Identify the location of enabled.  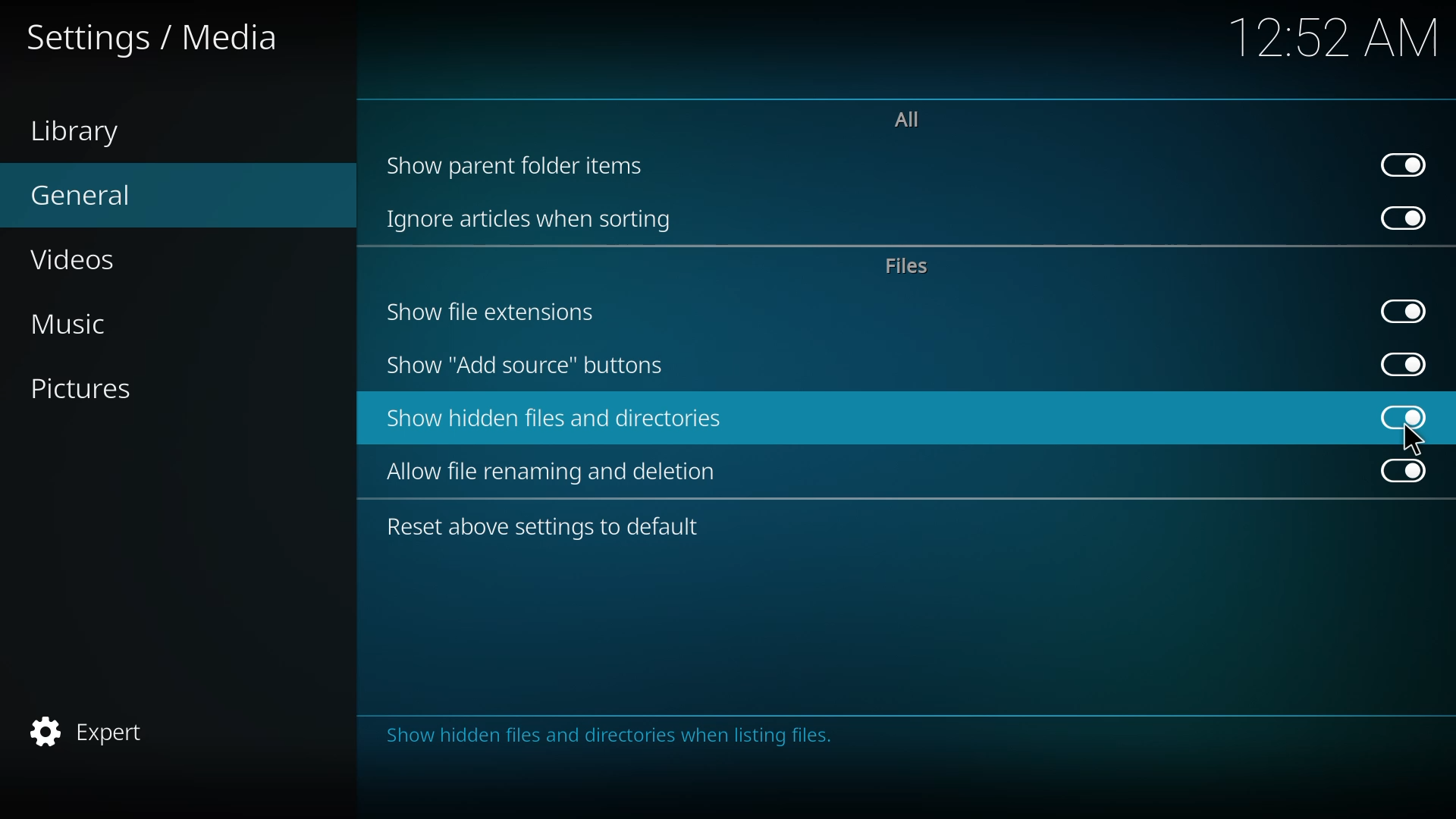
(1404, 469).